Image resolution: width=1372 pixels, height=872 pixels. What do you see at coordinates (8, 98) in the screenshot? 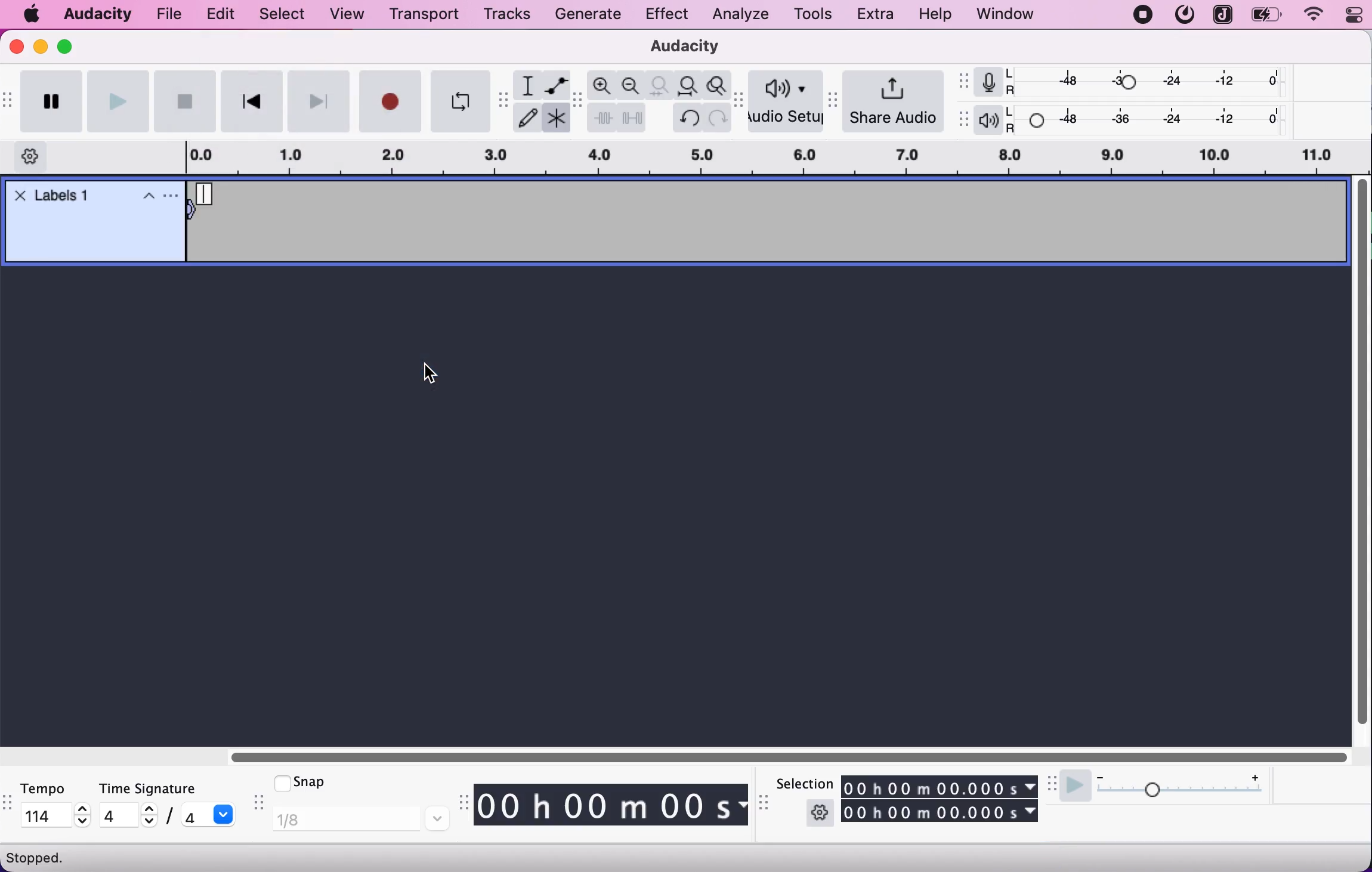
I see `audacity transport toolbar` at bounding box center [8, 98].